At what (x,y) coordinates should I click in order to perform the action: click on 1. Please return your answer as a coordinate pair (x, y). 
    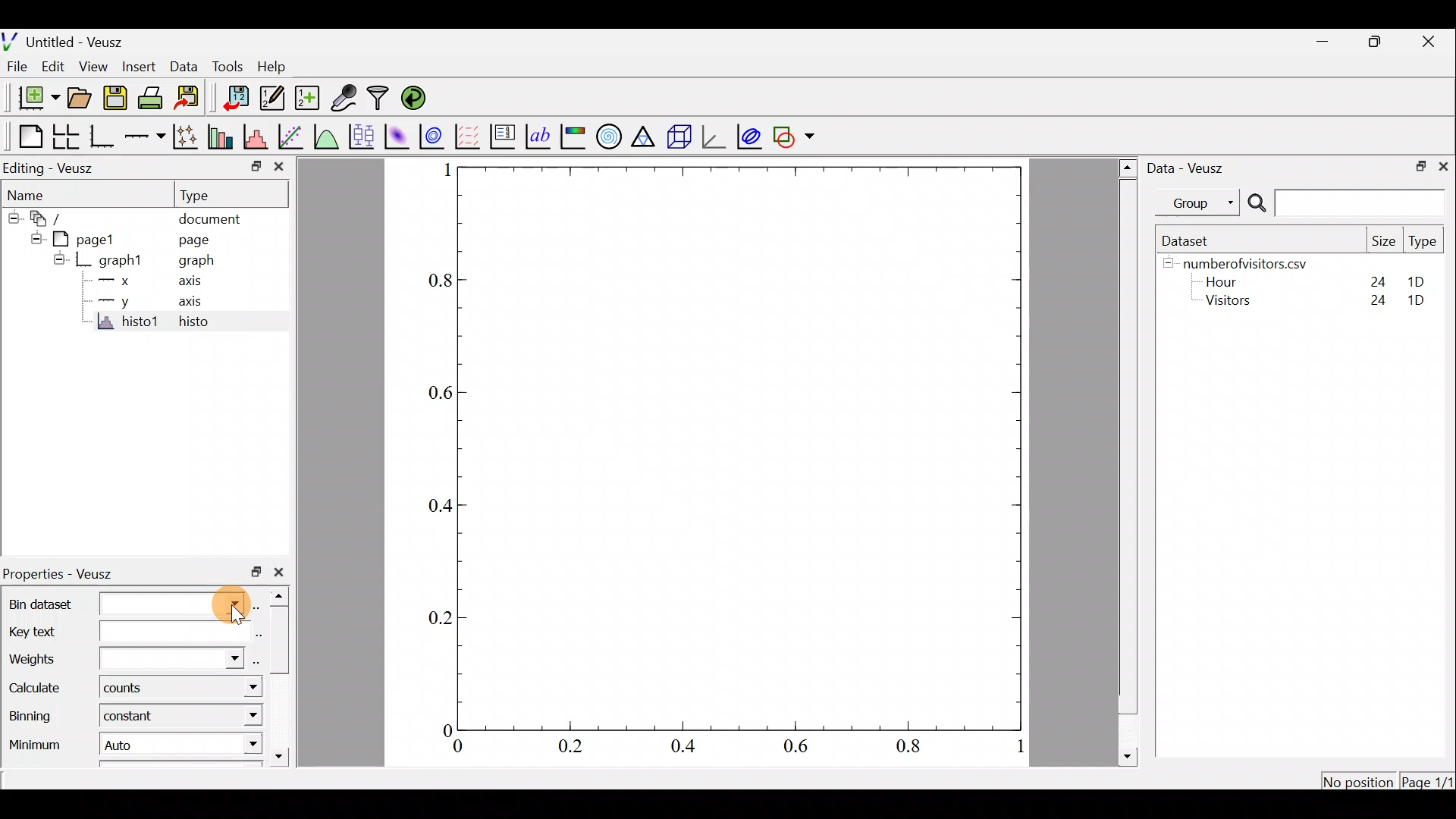
    Looking at the image, I should click on (1018, 747).